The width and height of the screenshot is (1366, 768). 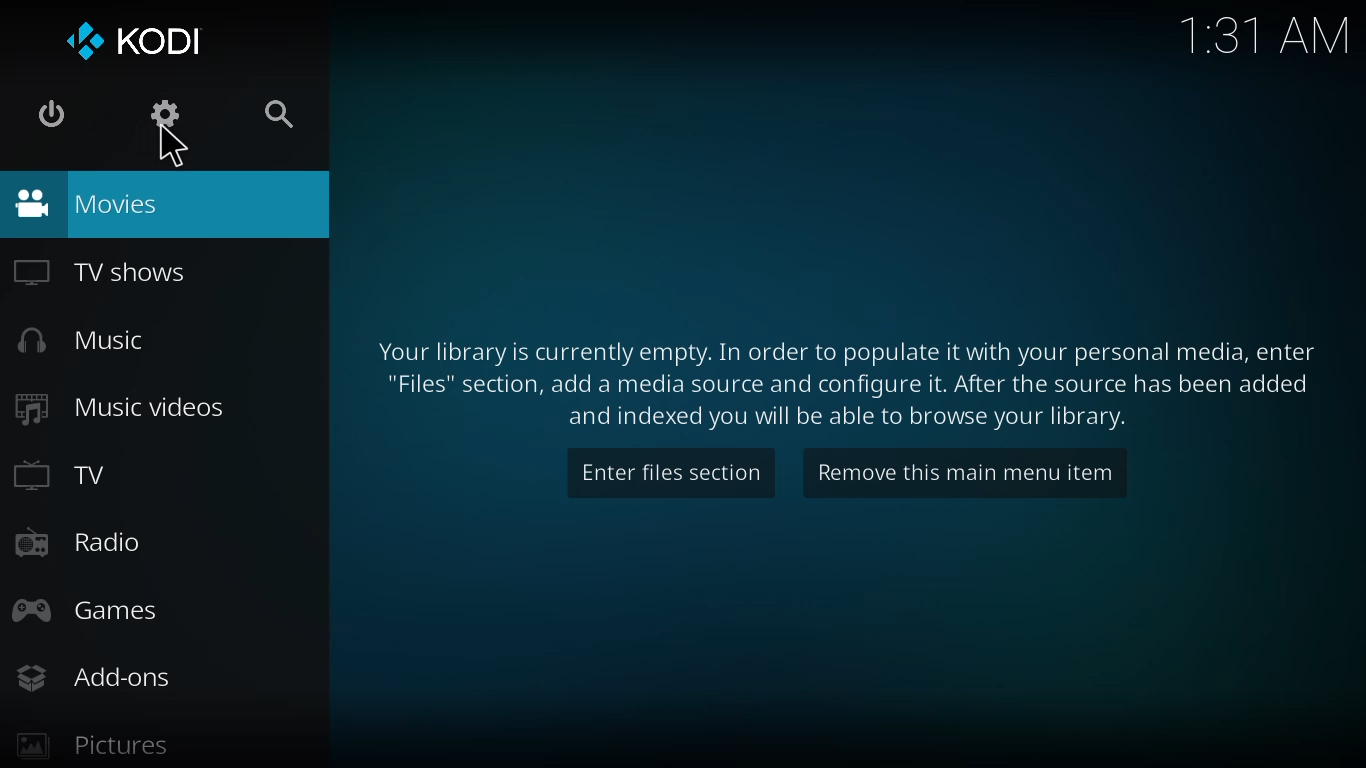 I want to click on tv shows, so click(x=103, y=272).